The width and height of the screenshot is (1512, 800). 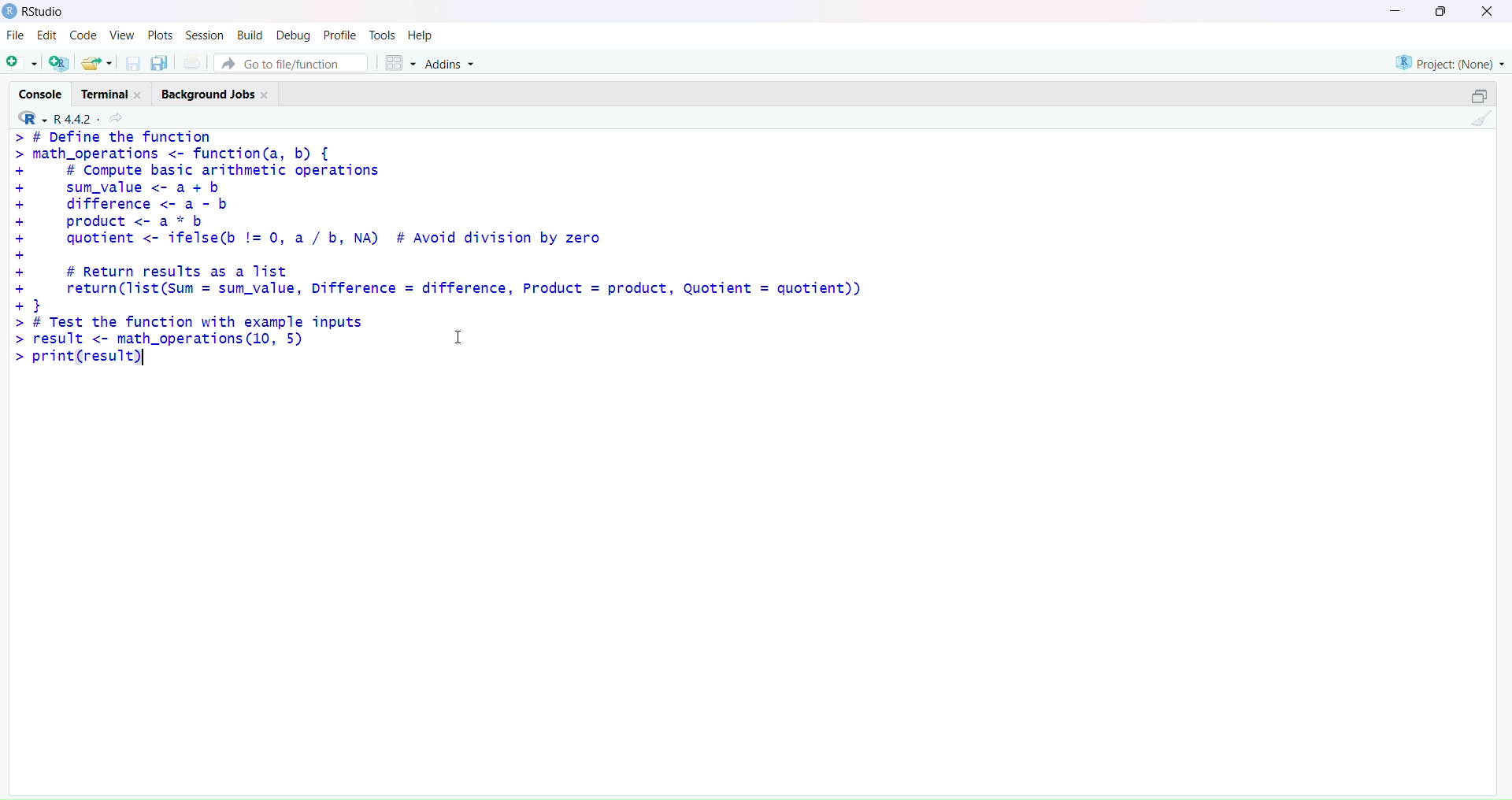 What do you see at coordinates (1479, 93) in the screenshot?
I see `Maximize` at bounding box center [1479, 93].